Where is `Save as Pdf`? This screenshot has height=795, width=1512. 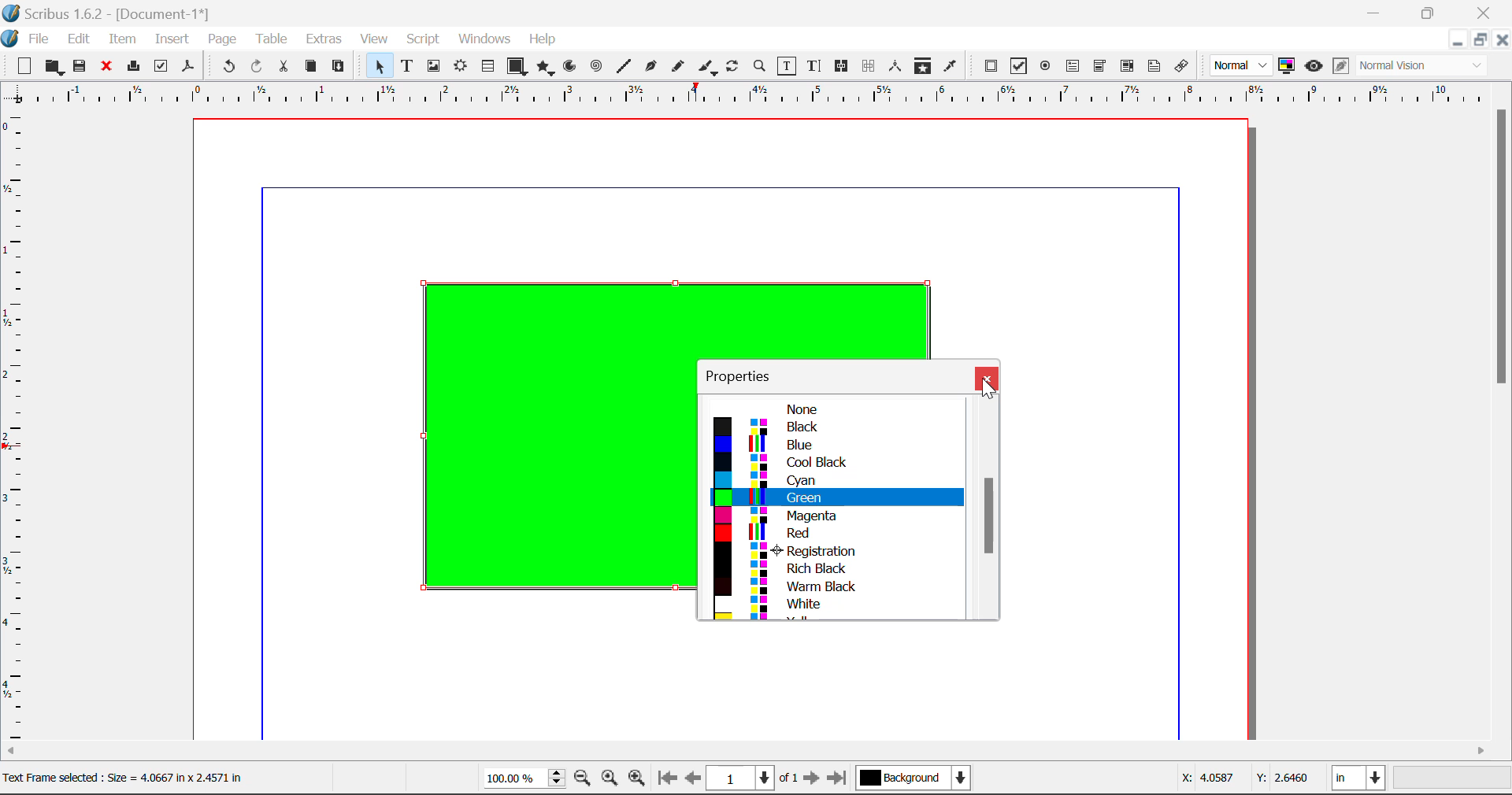
Save as Pdf is located at coordinates (188, 67).